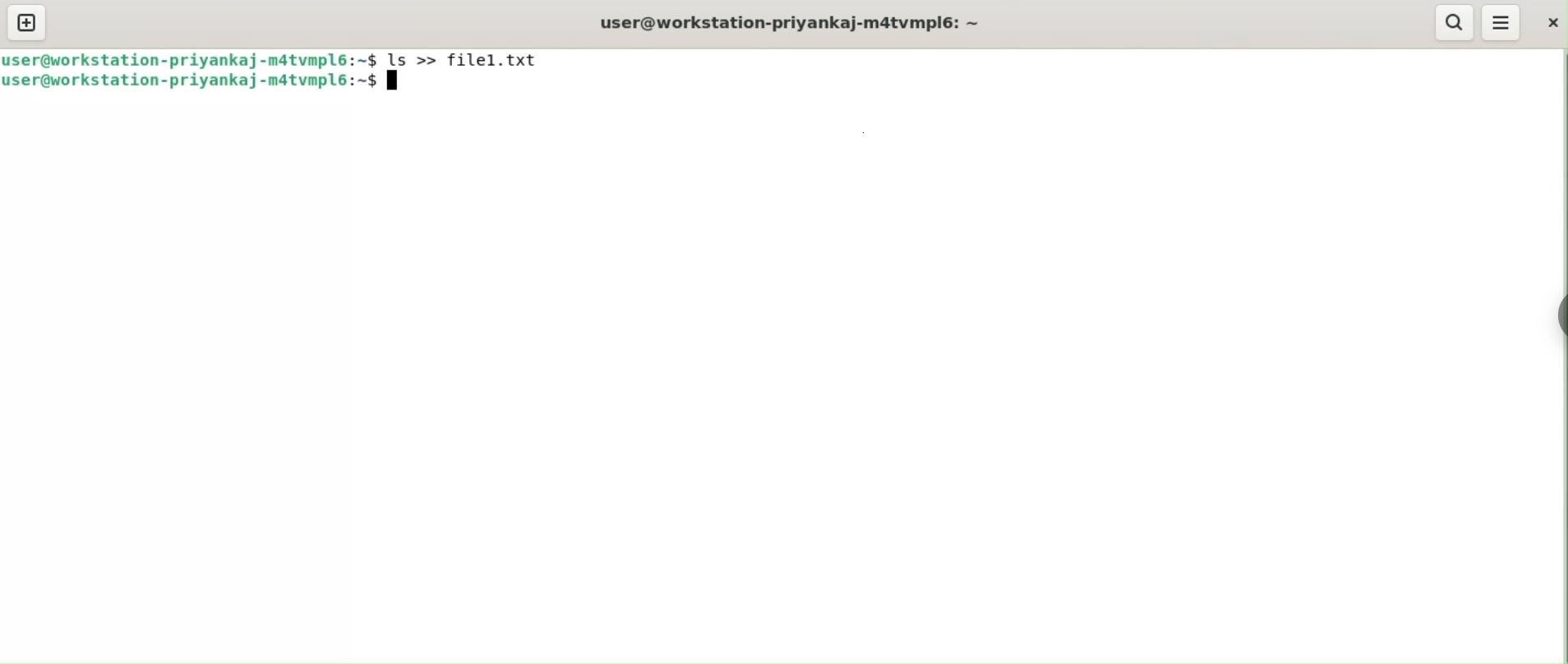 This screenshot has width=1568, height=664. What do you see at coordinates (27, 22) in the screenshot?
I see `new tab` at bounding box center [27, 22].